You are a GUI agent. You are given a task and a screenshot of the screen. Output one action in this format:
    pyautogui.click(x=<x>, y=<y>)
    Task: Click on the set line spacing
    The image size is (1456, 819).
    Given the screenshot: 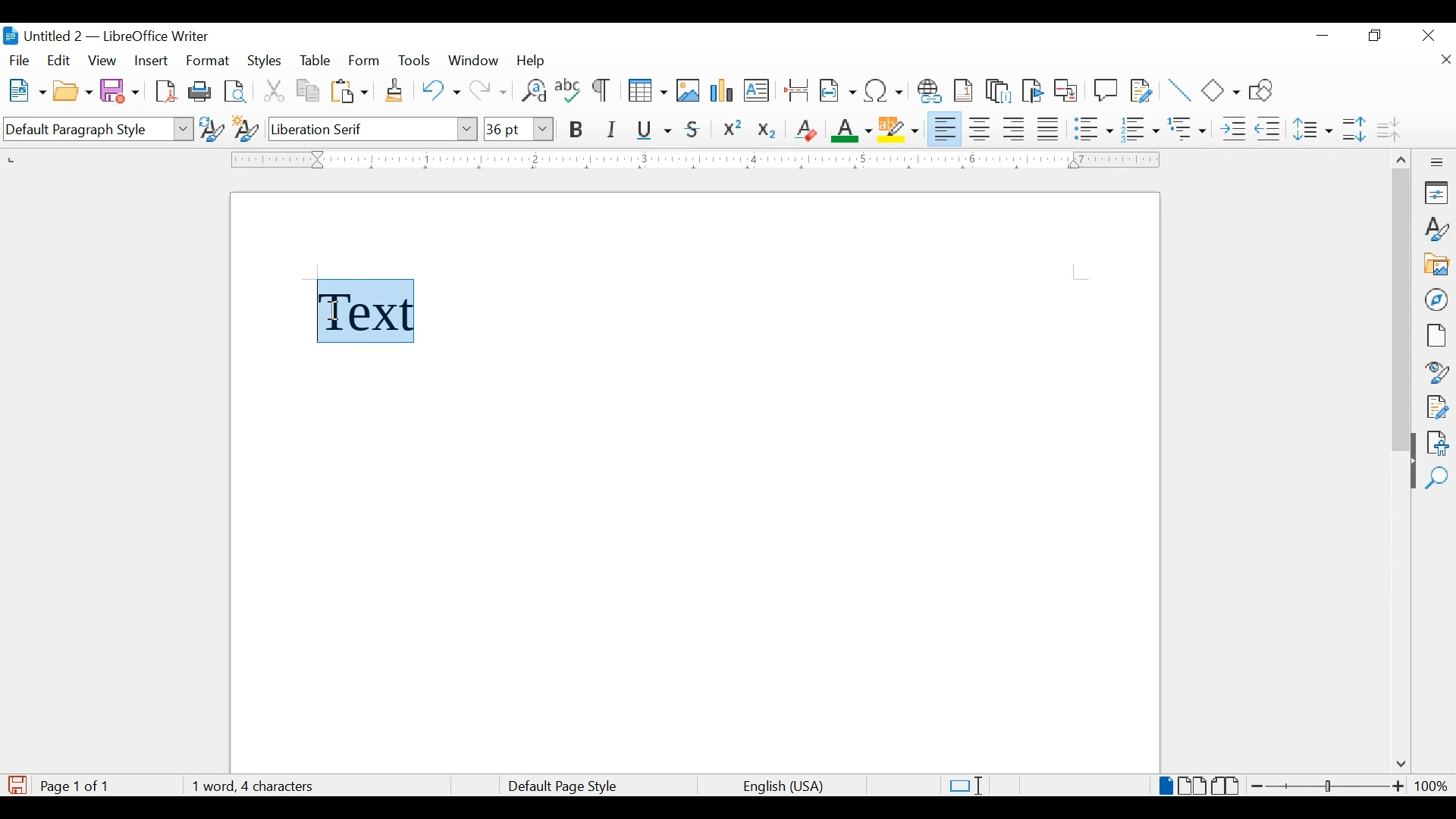 What is the action you would take?
    pyautogui.click(x=1314, y=129)
    